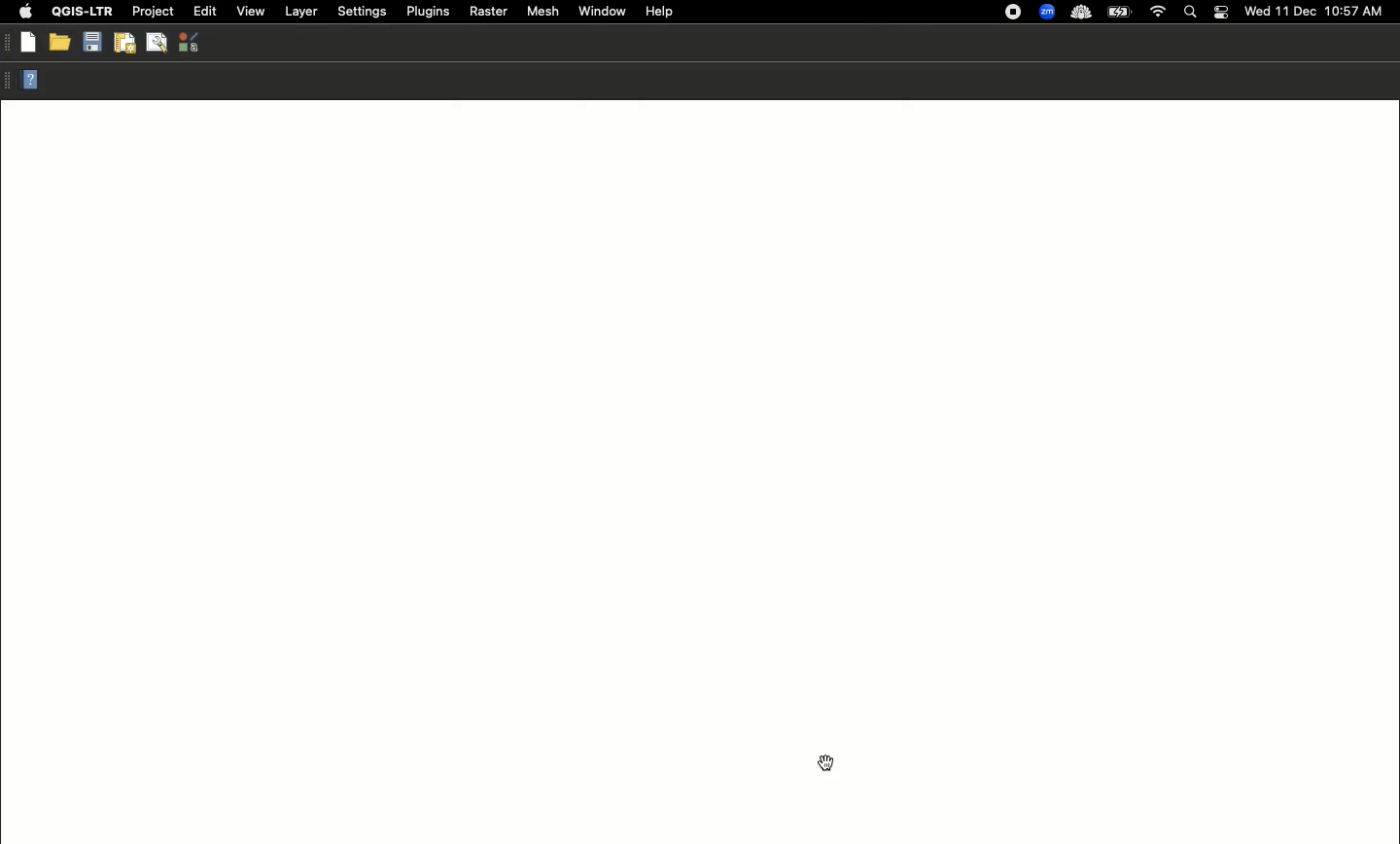 This screenshot has height=844, width=1400. I want to click on Project, so click(153, 12).